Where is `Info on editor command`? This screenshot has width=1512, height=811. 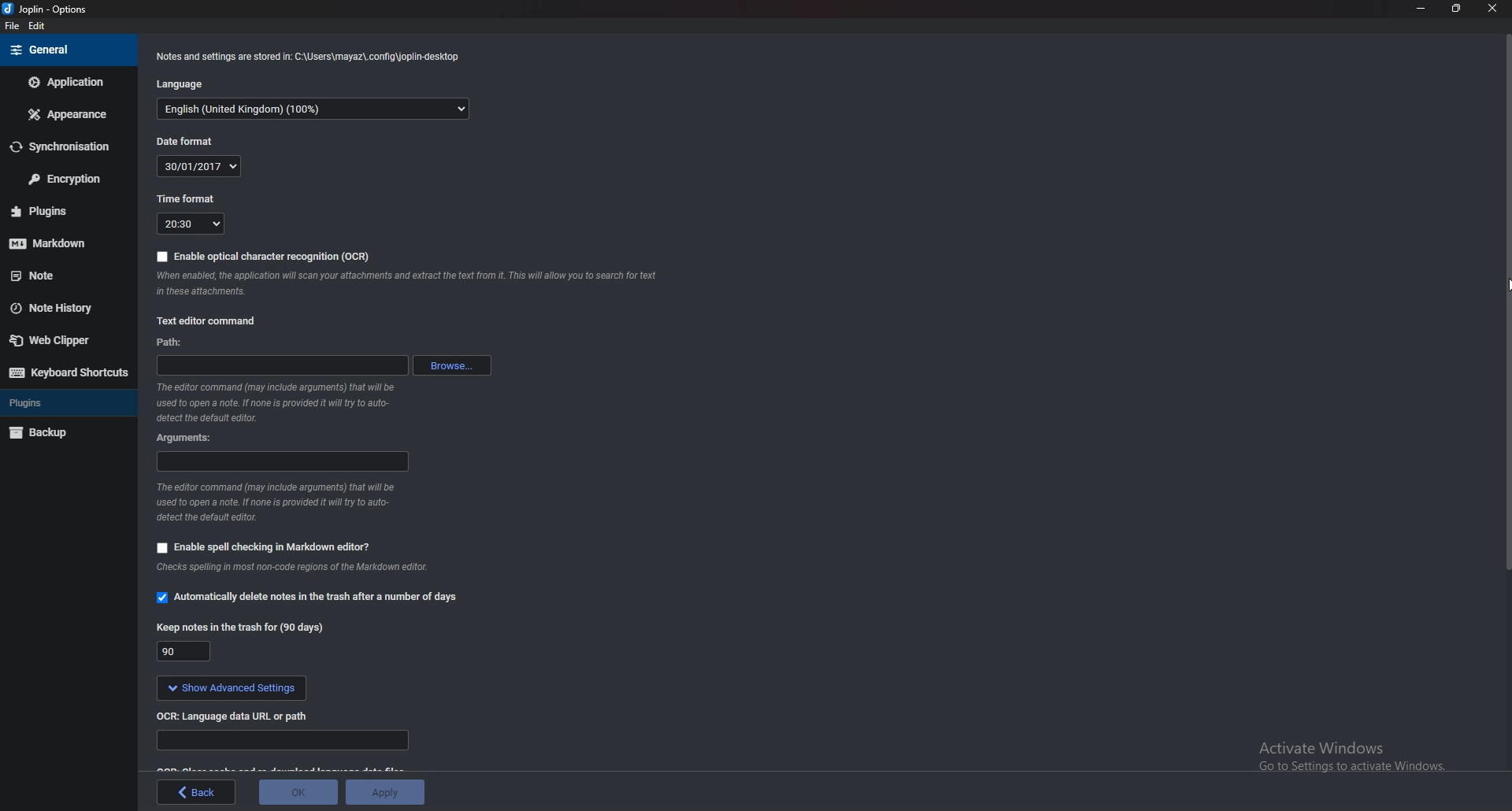
Info on editor command is located at coordinates (280, 401).